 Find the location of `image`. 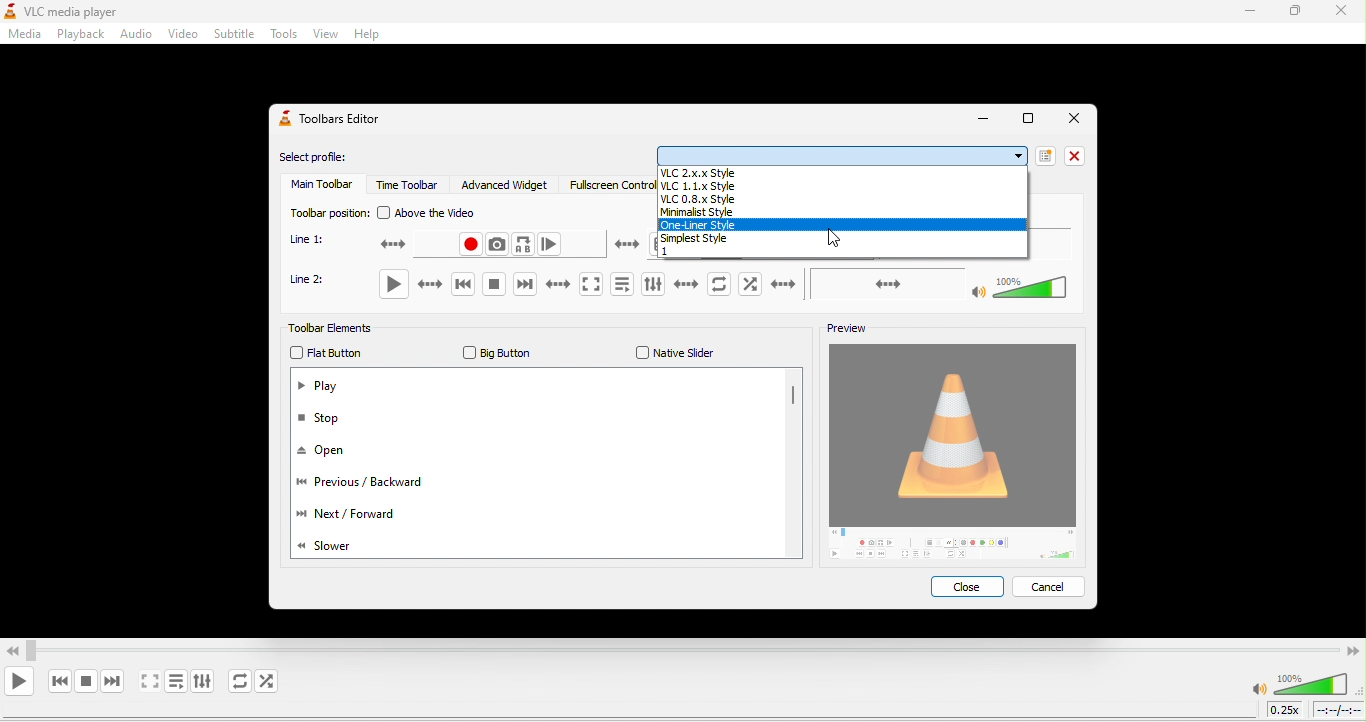

image is located at coordinates (954, 452).